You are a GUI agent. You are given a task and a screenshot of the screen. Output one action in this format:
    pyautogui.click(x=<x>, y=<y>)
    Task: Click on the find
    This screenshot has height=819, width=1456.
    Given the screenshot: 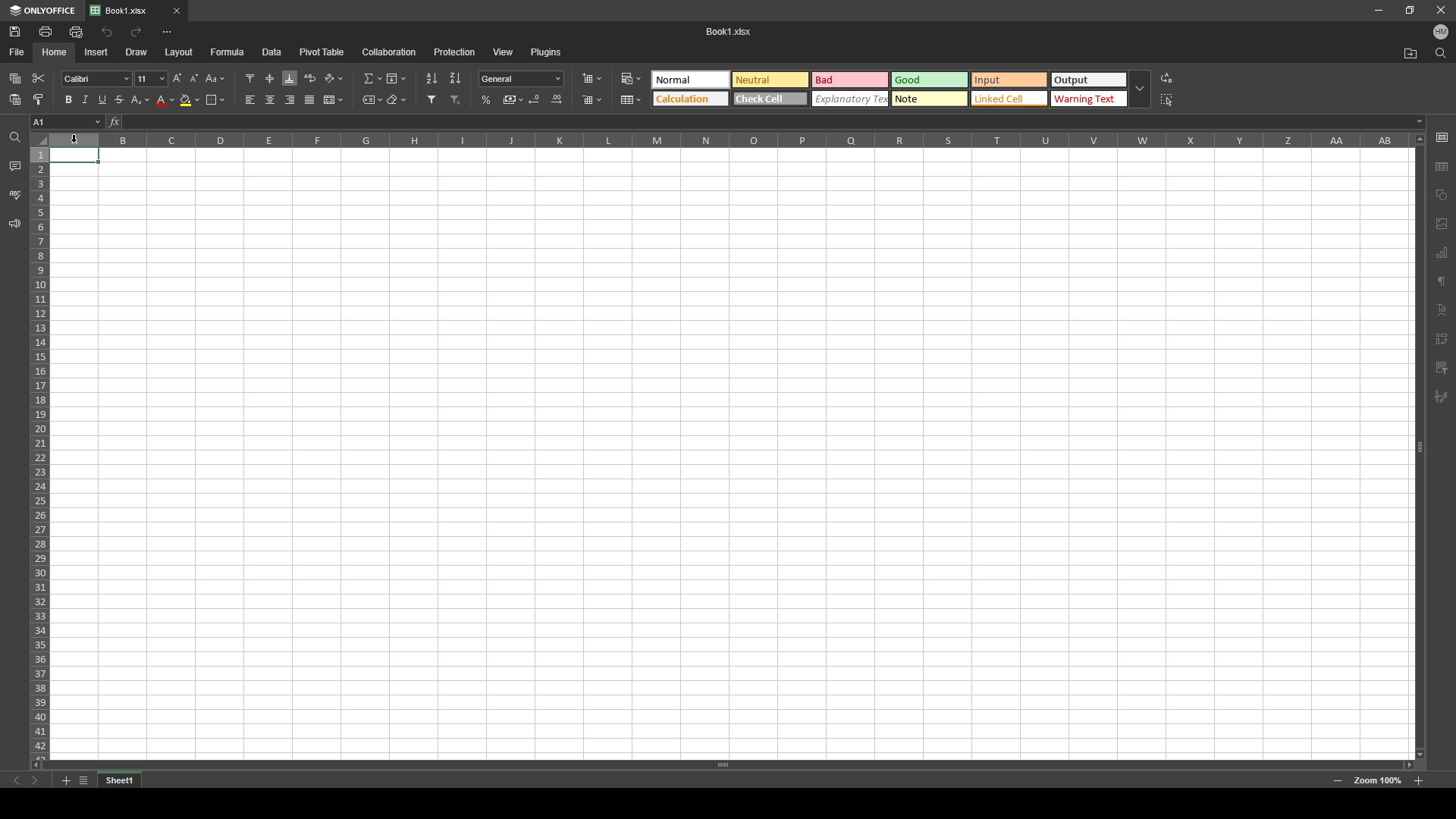 What is the action you would take?
    pyautogui.click(x=1441, y=54)
    